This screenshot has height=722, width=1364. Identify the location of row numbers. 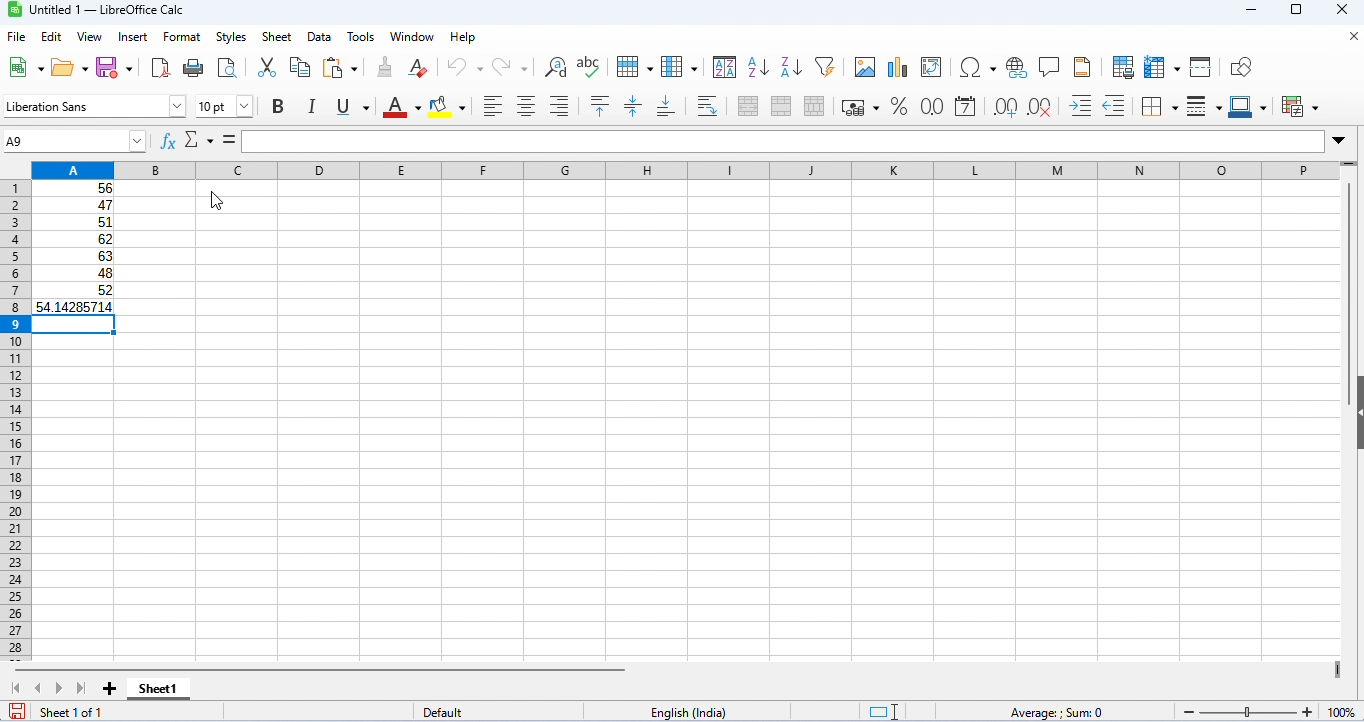
(13, 422).